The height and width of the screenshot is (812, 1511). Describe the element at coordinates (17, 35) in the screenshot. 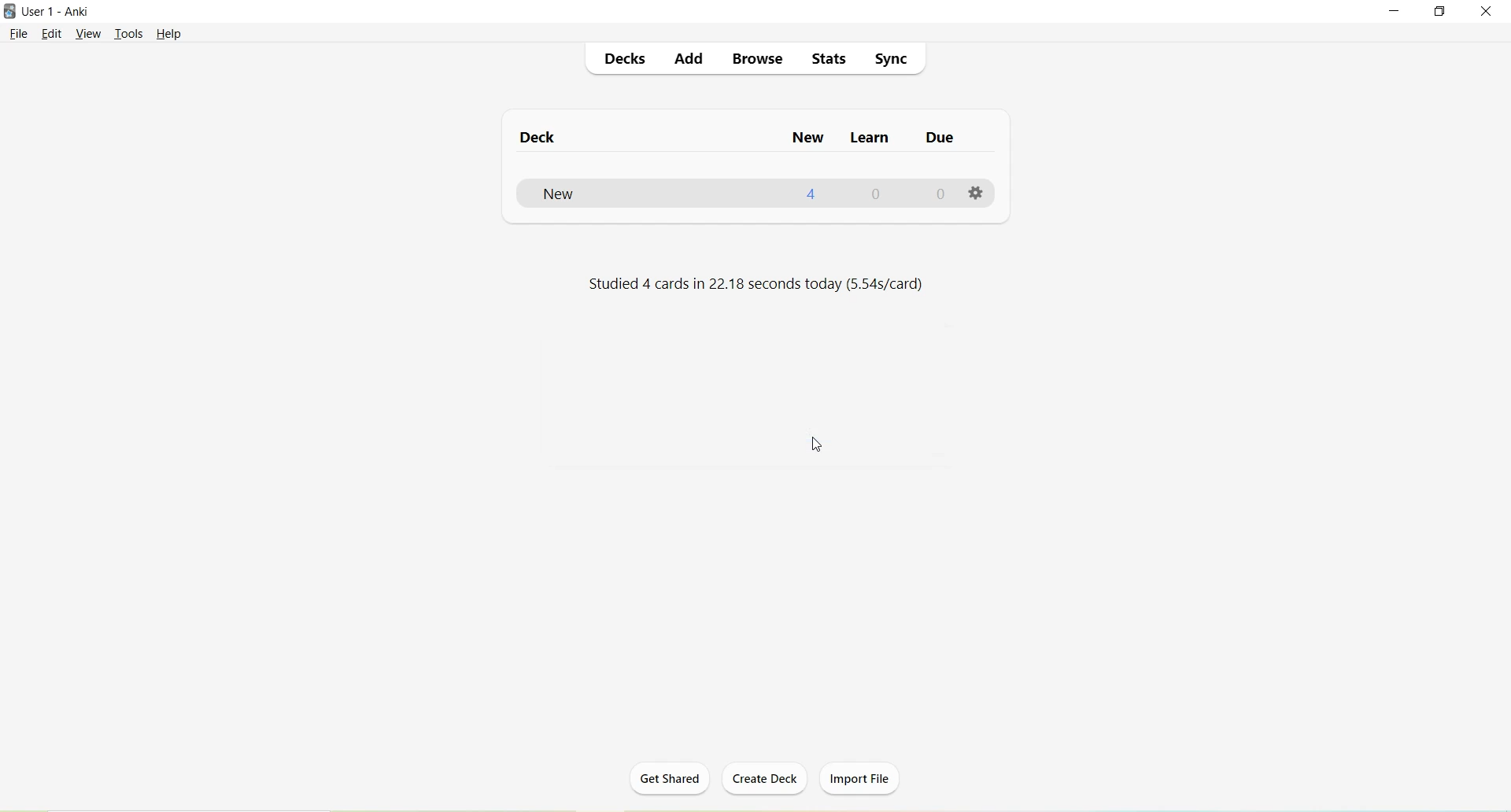

I see `File` at that location.